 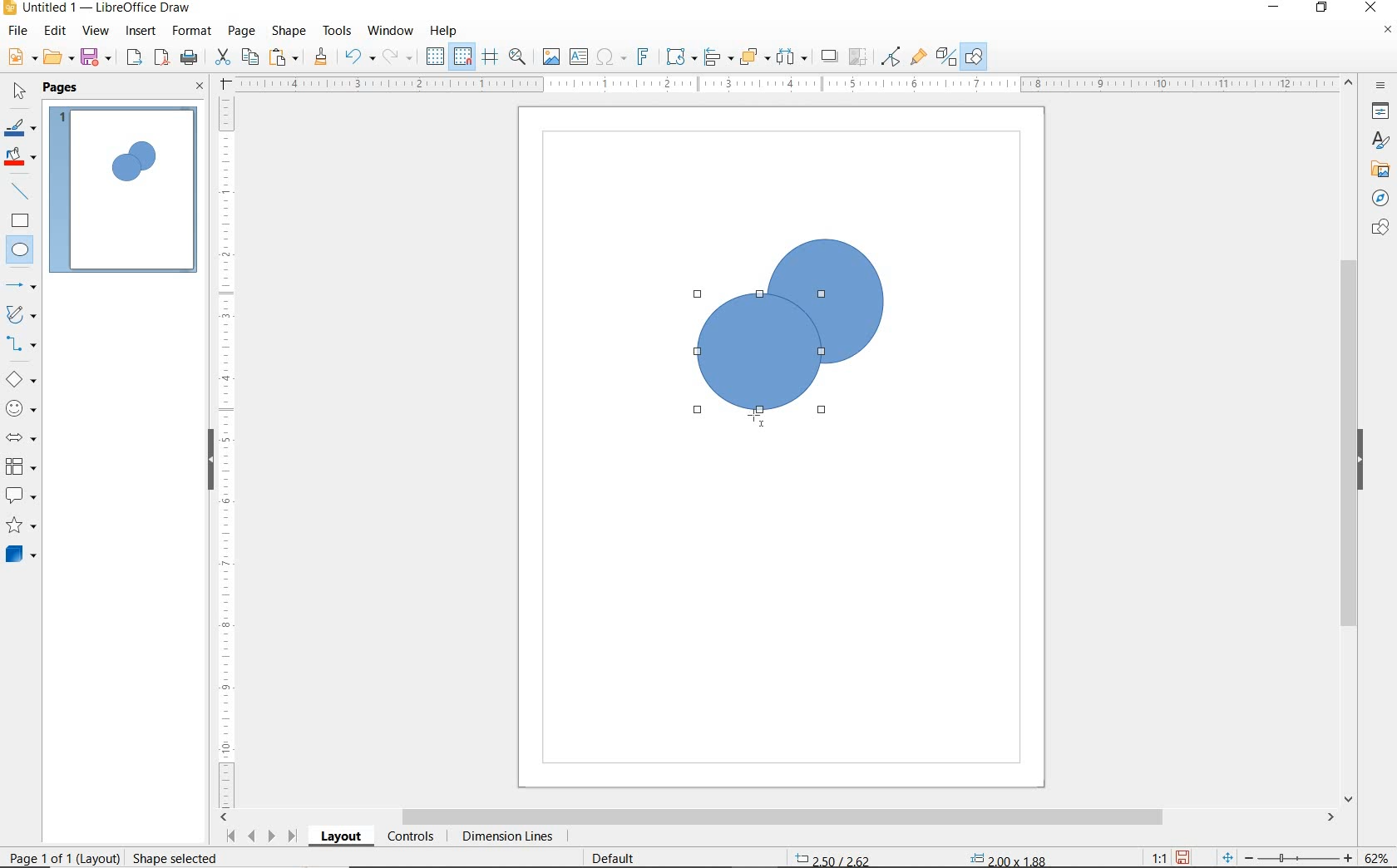 I want to click on FLOWCHART, so click(x=20, y=467).